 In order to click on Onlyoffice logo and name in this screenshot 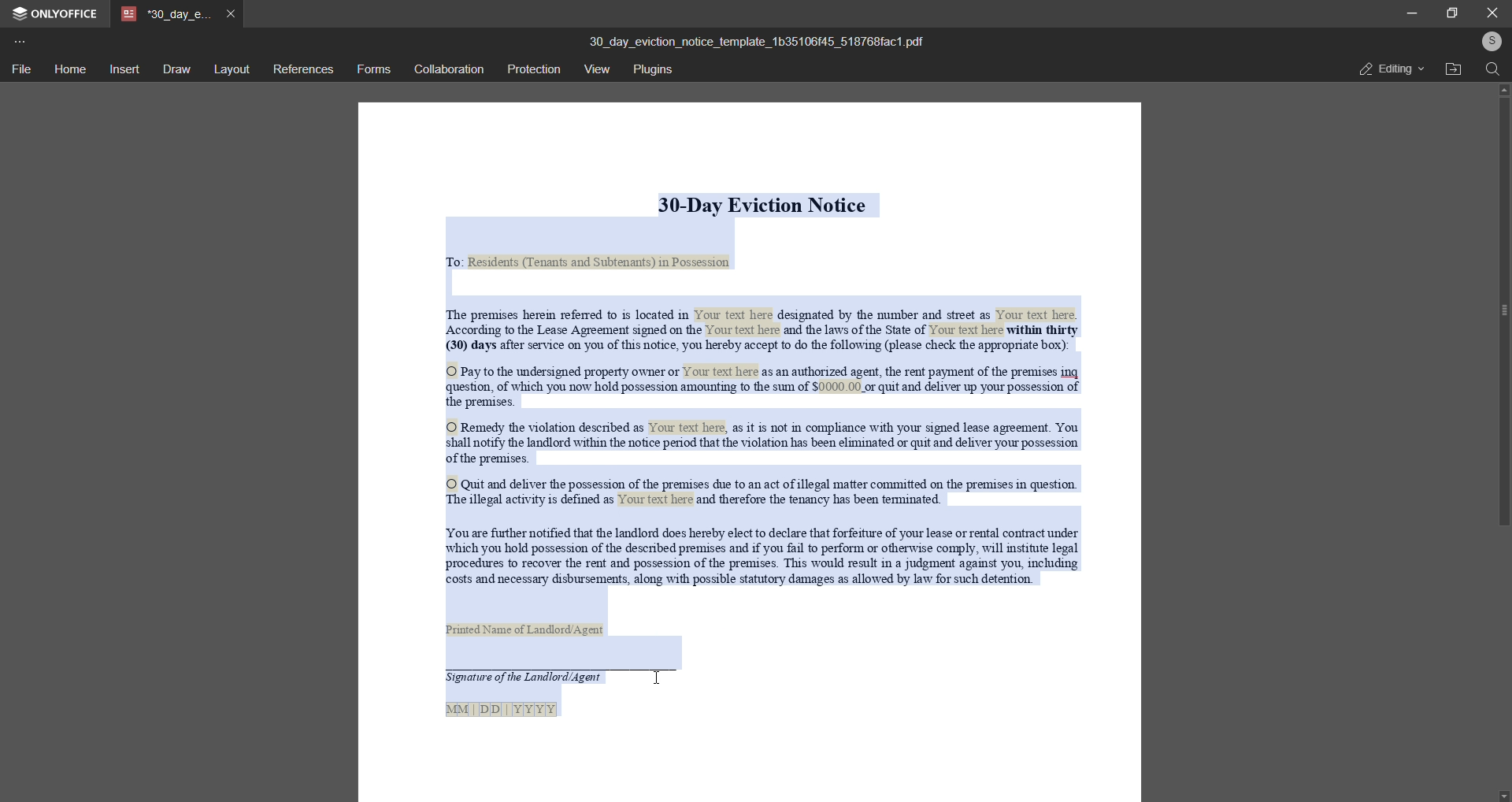, I will do `click(61, 14)`.